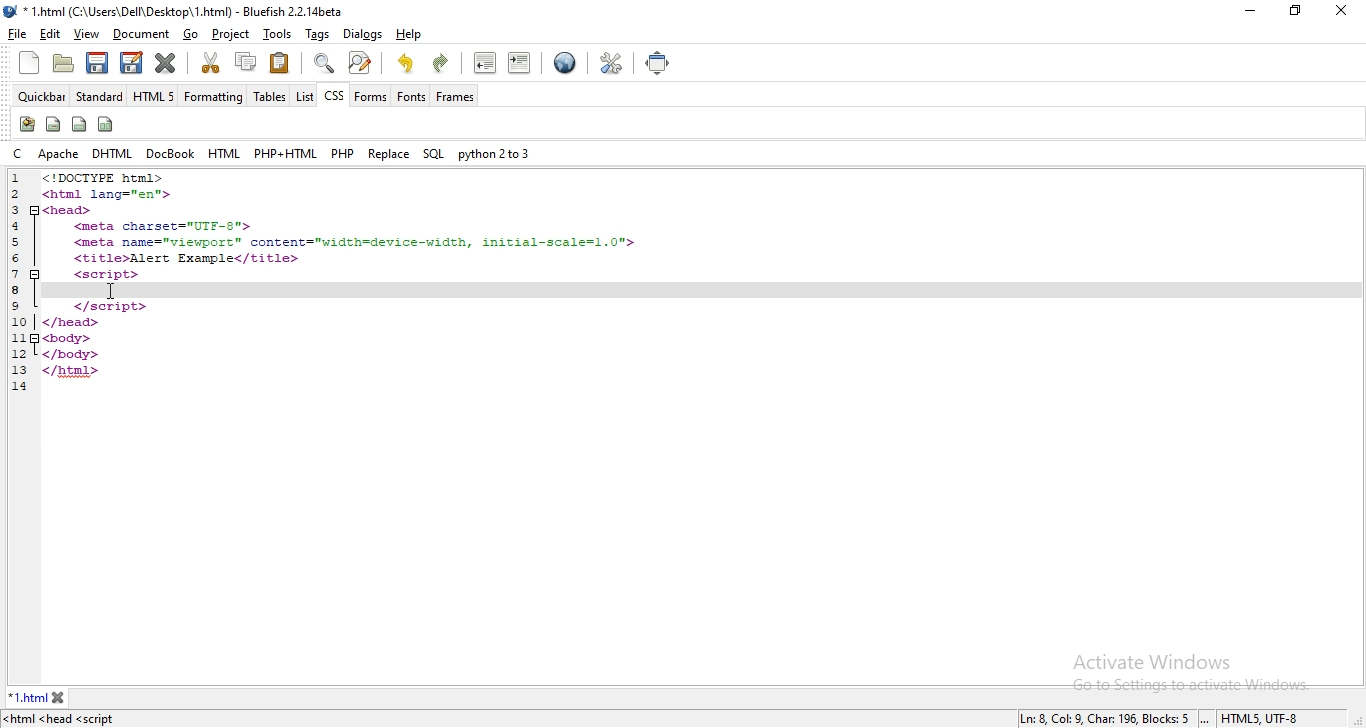 The image size is (1366, 728). Describe the element at coordinates (101, 96) in the screenshot. I see `standard` at that location.